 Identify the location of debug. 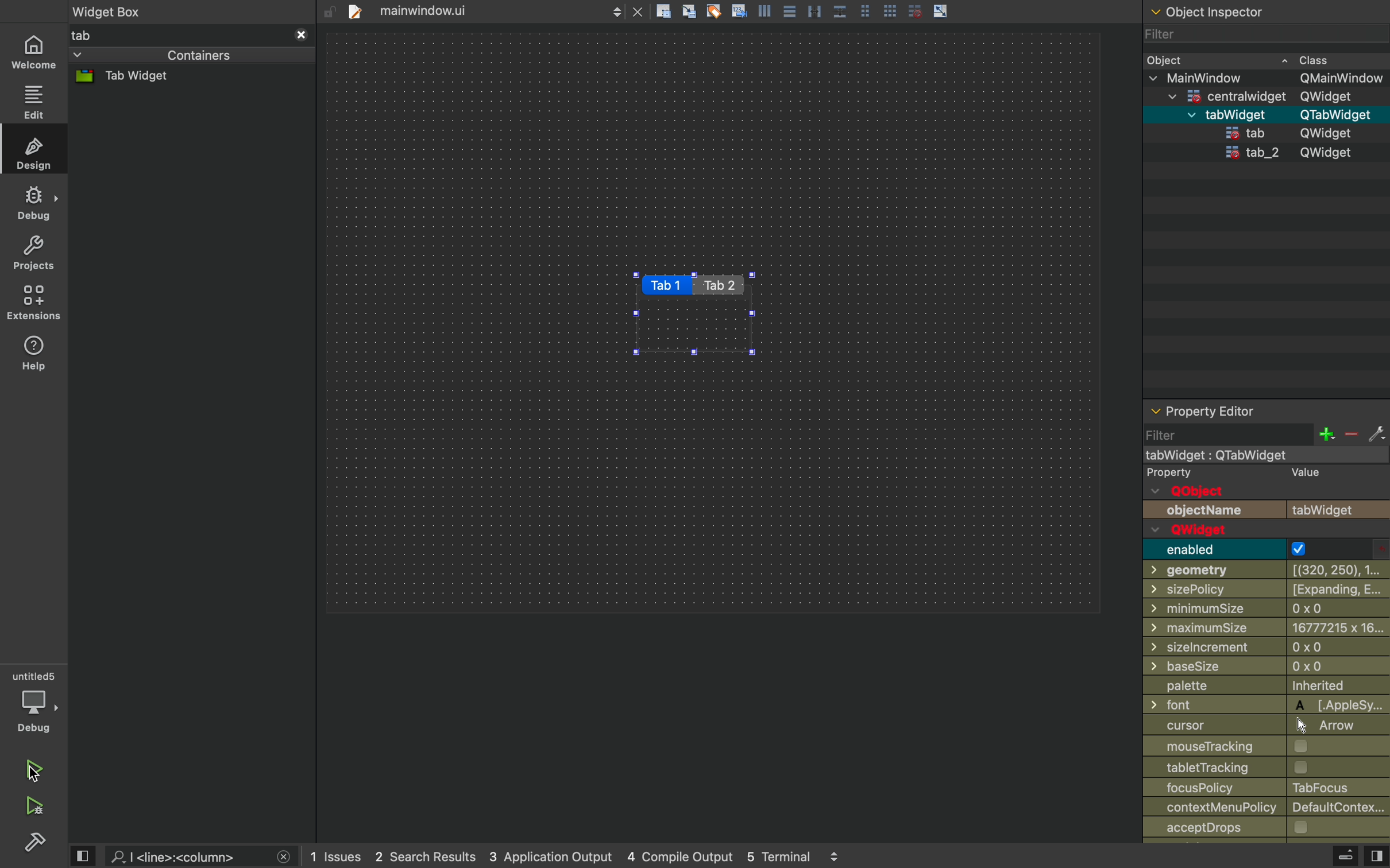
(33, 204).